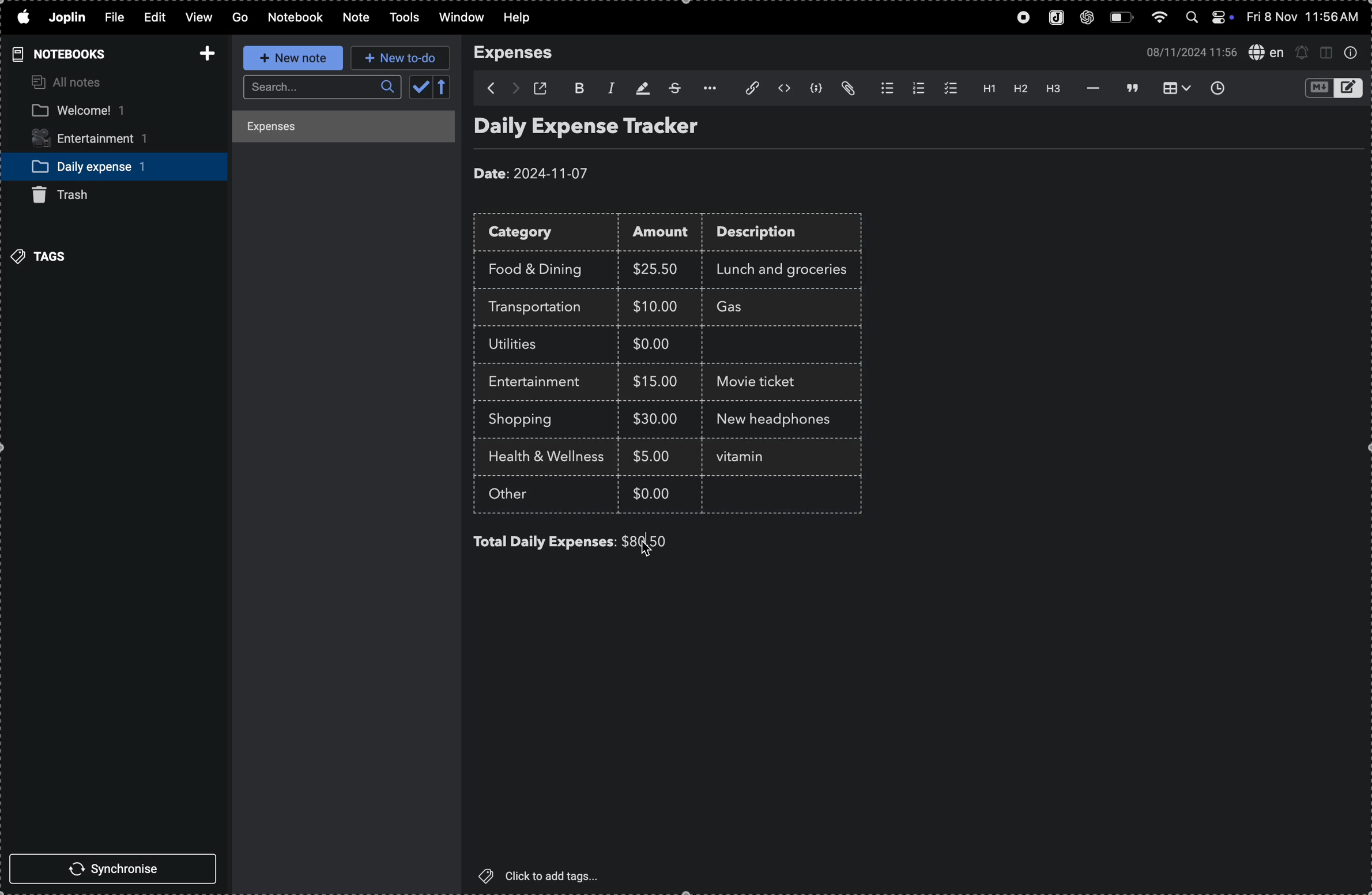 The height and width of the screenshot is (895, 1372). What do you see at coordinates (544, 88) in the screenshot?
I see `open window` at bounding box center [544, 88].